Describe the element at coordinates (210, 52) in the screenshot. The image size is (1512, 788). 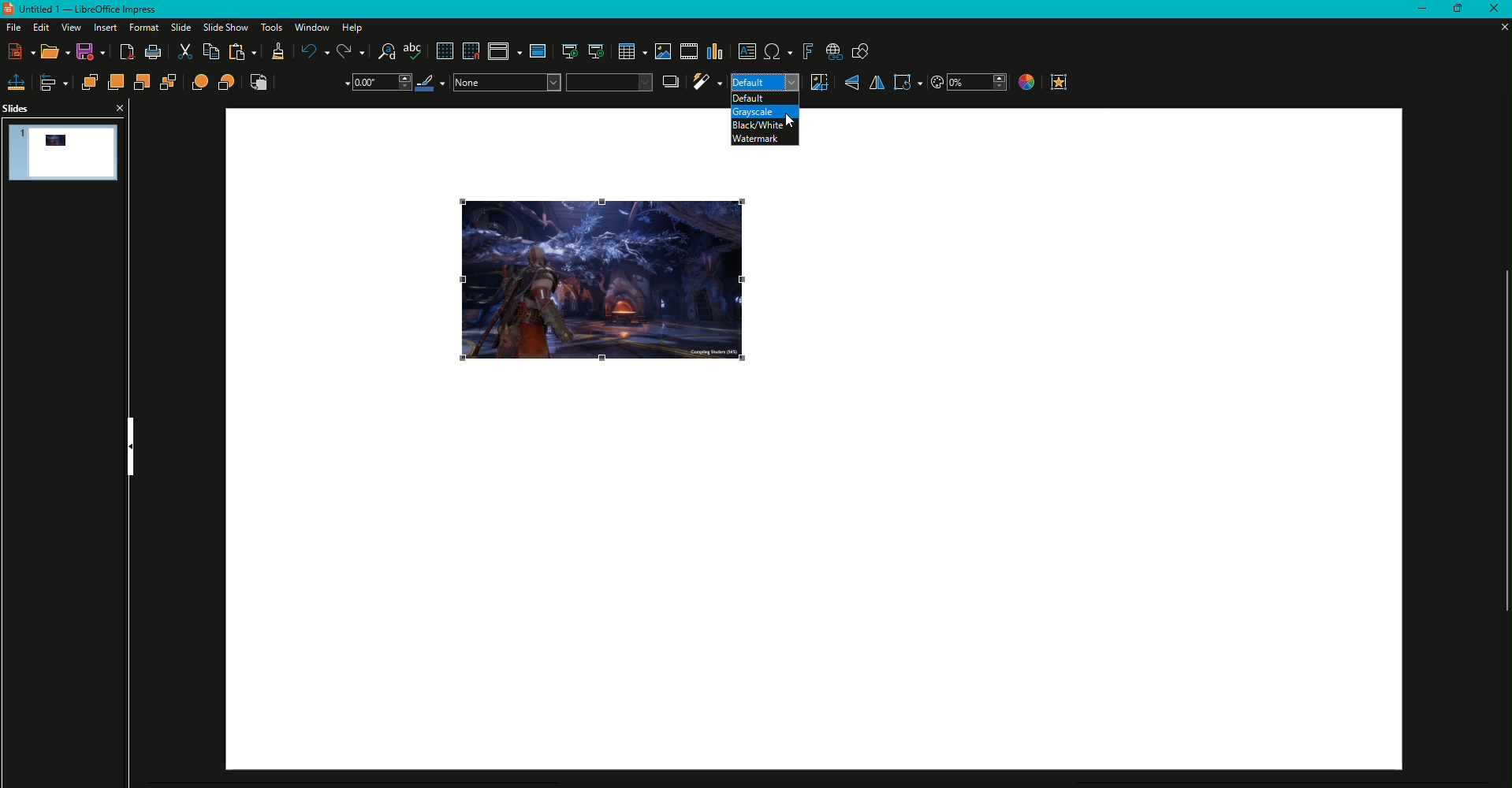
I see `Copy` at that location.